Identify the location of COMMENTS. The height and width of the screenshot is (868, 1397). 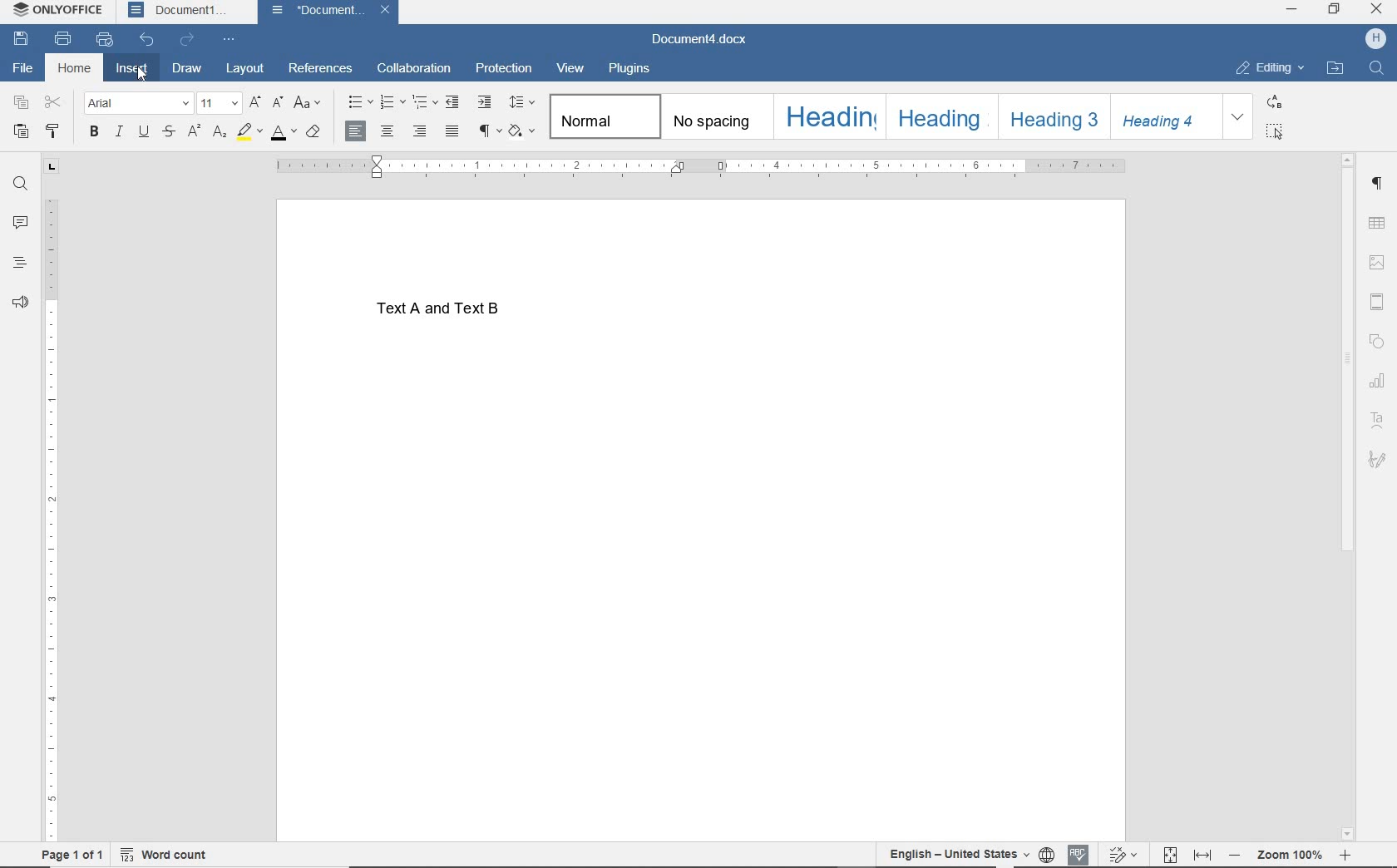
(21, 220).